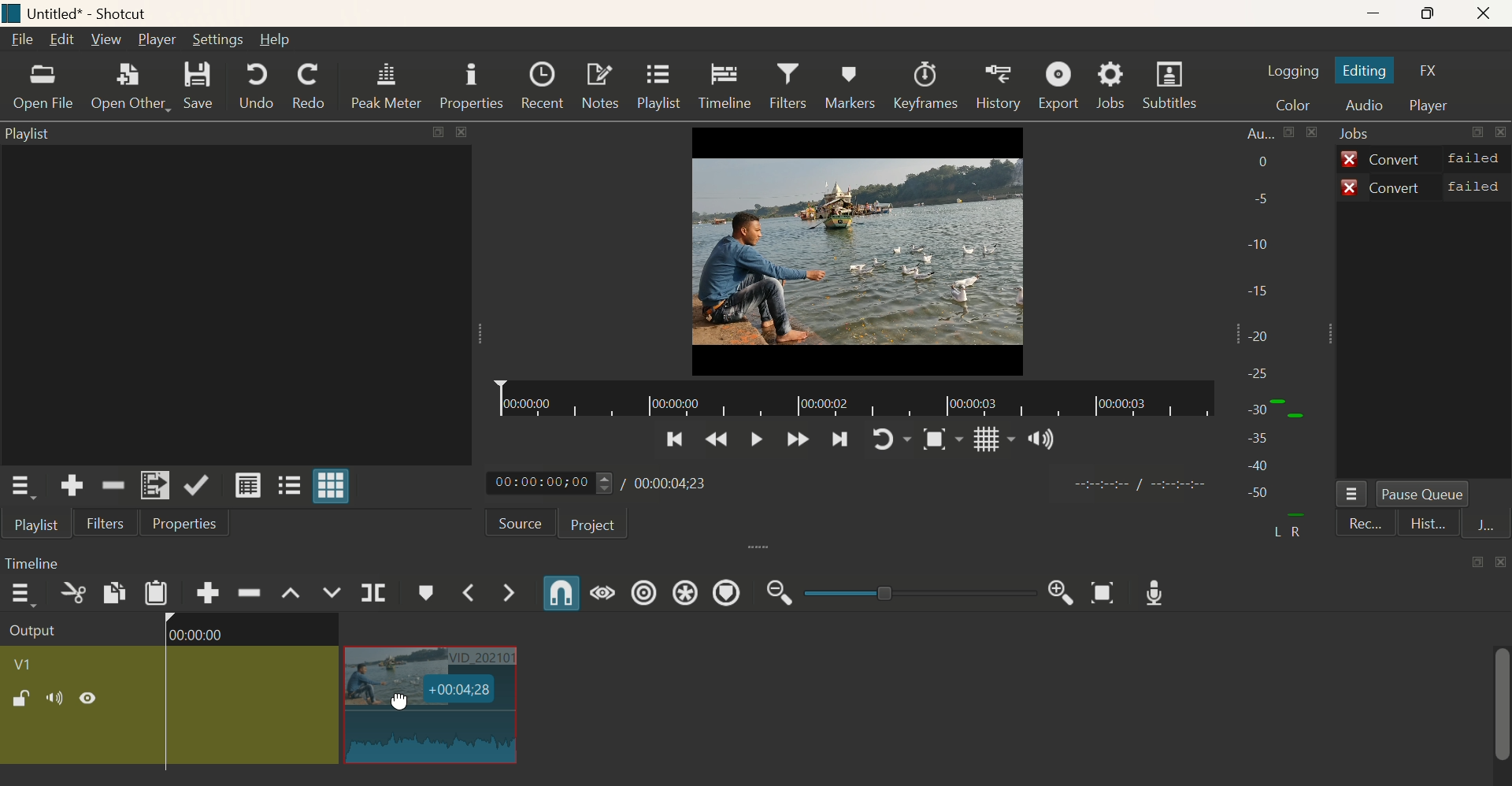 This screenshot has width=1512, height=786. Describe the element at coordinates (1435, 14) in the screenshot. I see `Maximise` at that location.